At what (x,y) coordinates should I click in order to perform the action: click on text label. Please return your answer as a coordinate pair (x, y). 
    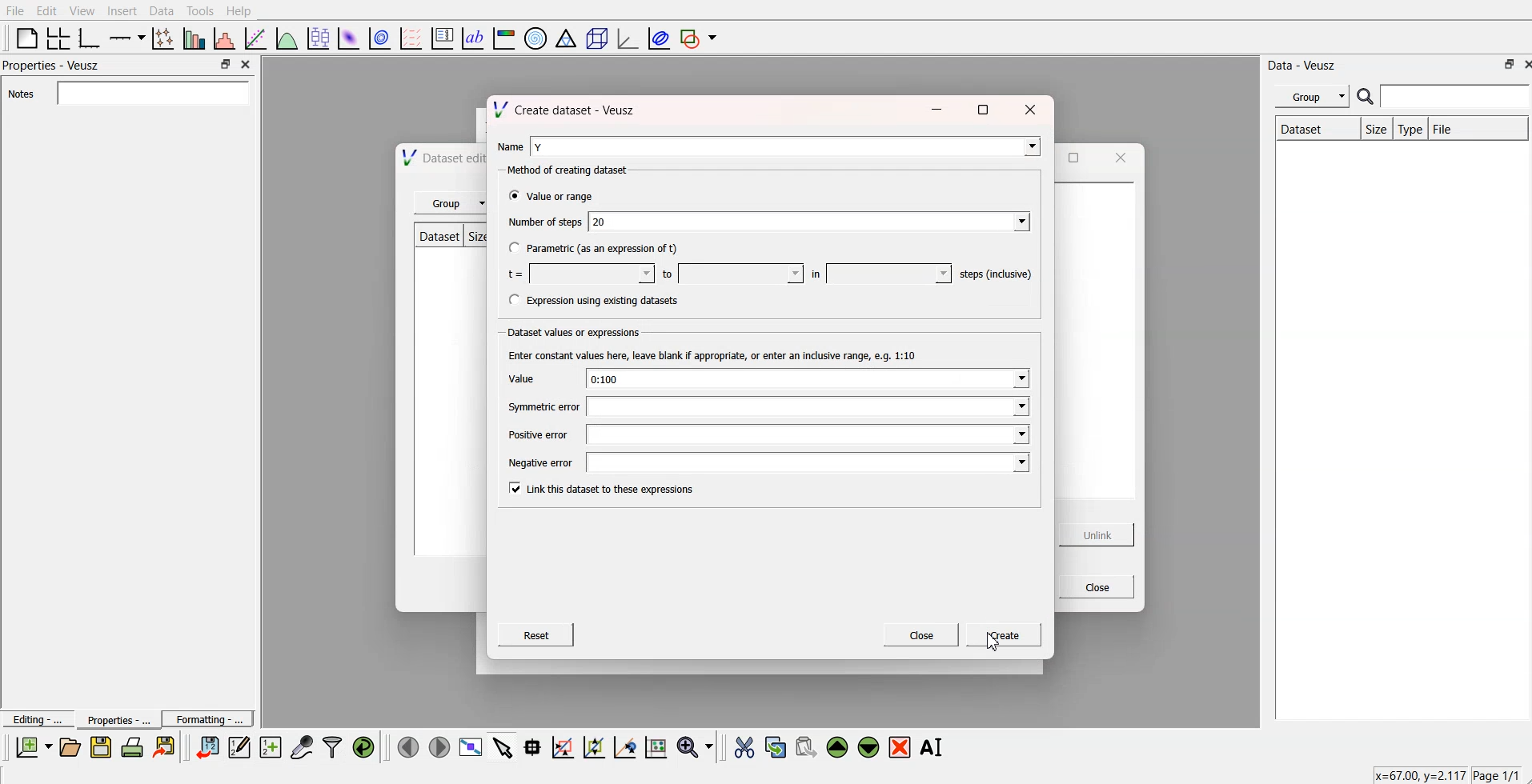
    Looking at the image, I should click on (473, 38).